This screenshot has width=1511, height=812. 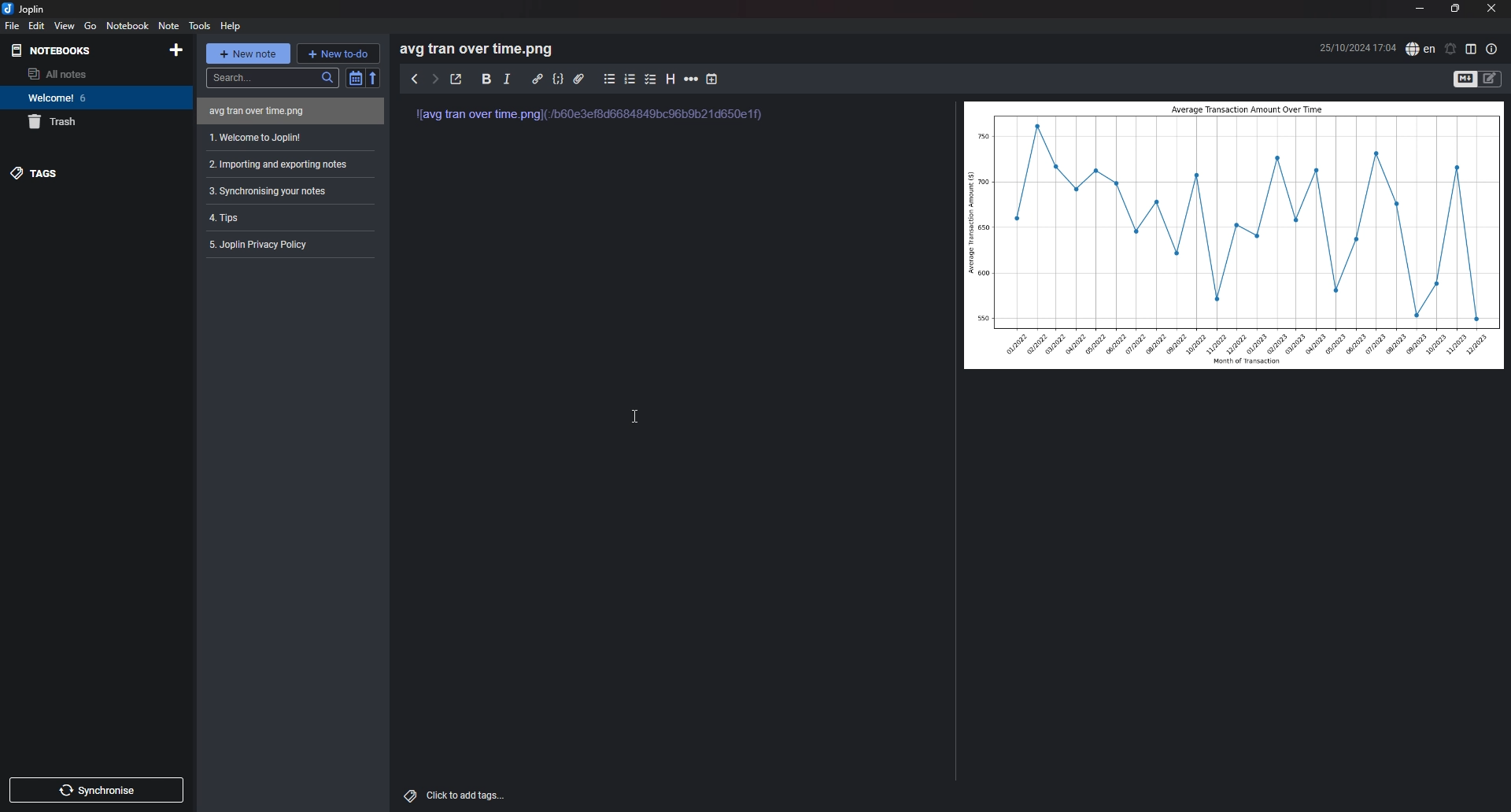 What do you see at coordinates (248, 53) in the screenshot?
I see `new note` at bounding box center [248, 53].